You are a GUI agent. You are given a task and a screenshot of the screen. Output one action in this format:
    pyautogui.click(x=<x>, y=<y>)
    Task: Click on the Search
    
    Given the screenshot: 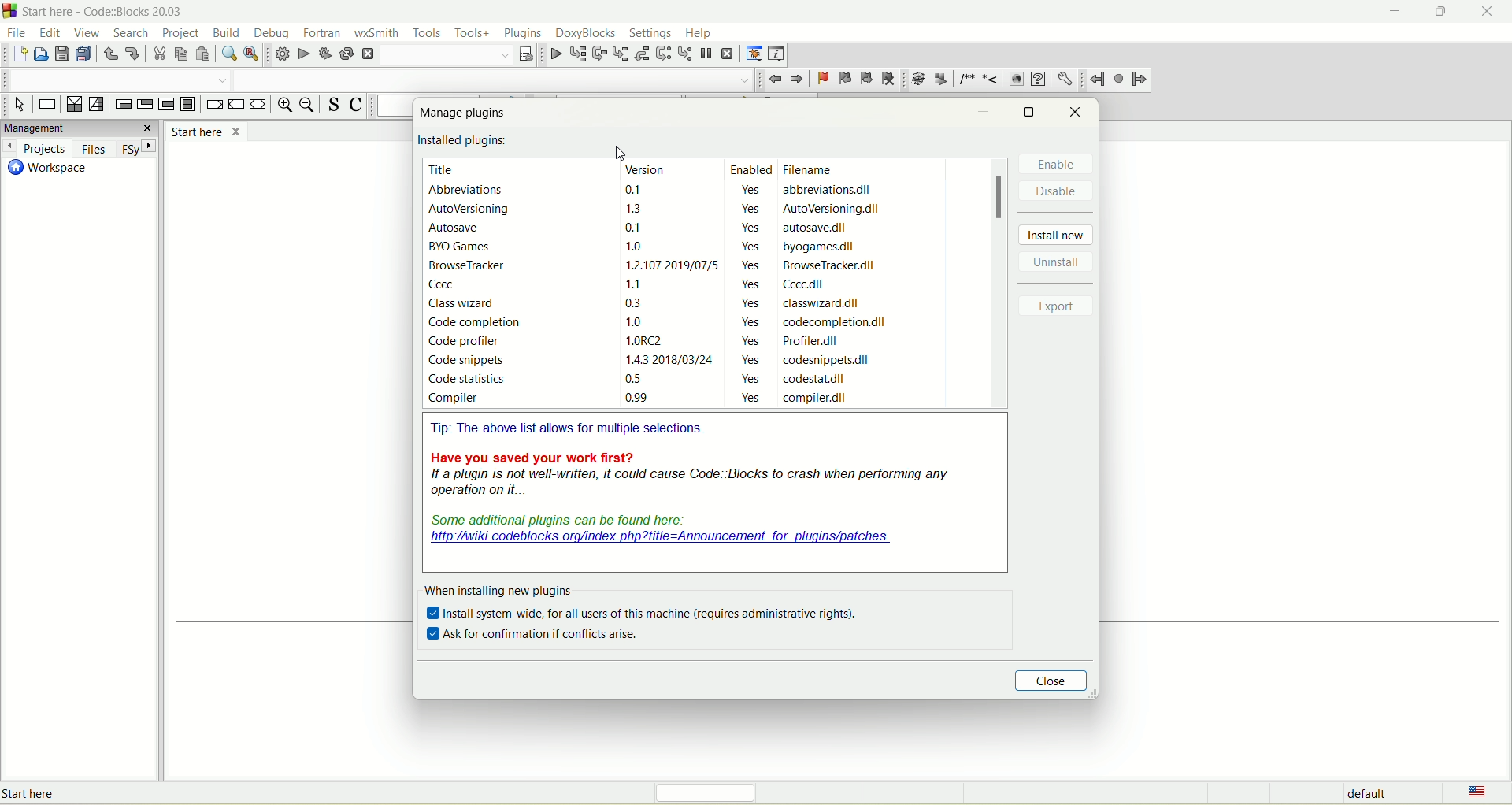 What is the action you would take?
    pyautogui.click(x=449, y=55)
    